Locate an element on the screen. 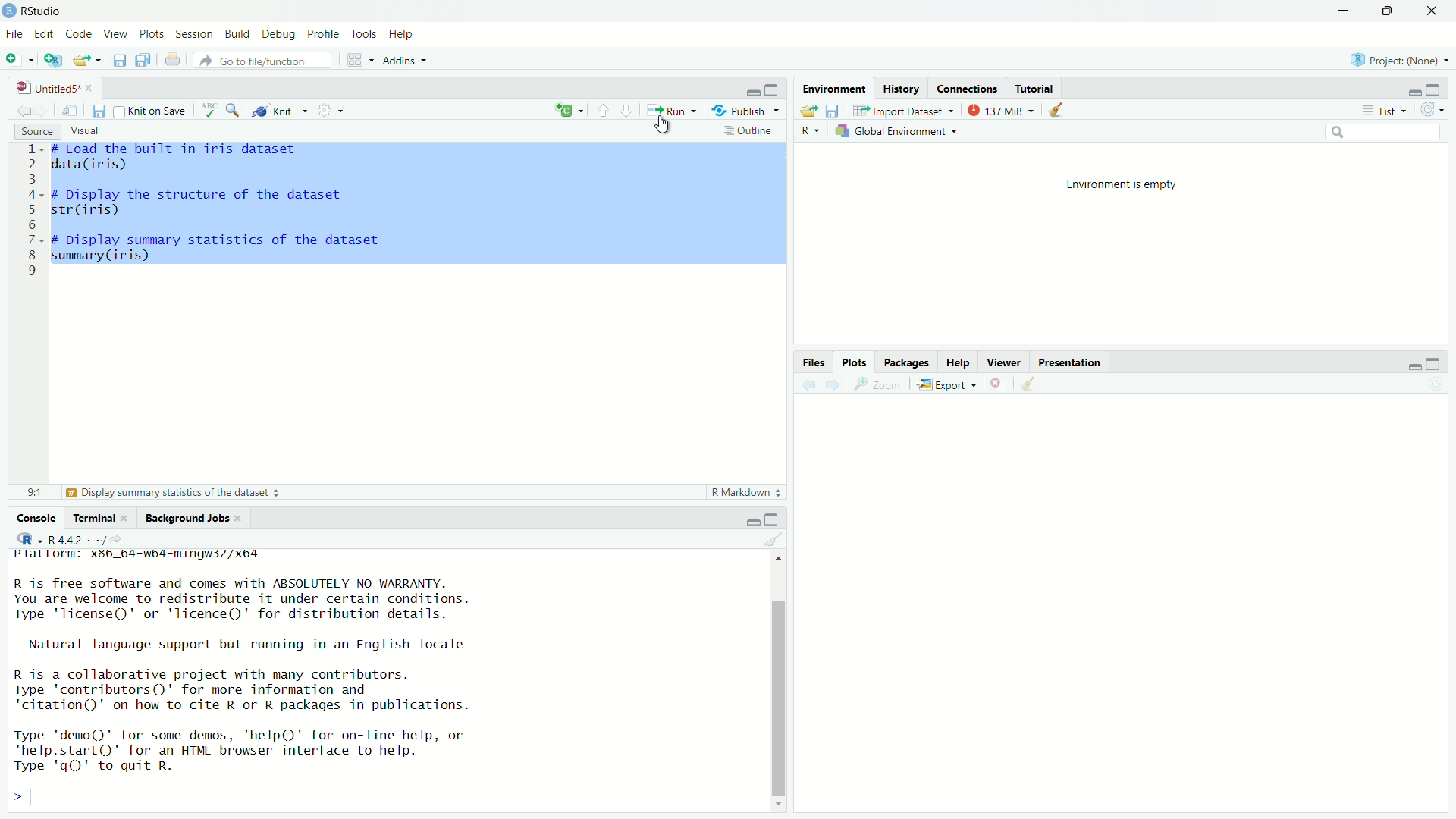 This screenshot has height=819, width=1456. Packages is located at coordinates (907, 361).